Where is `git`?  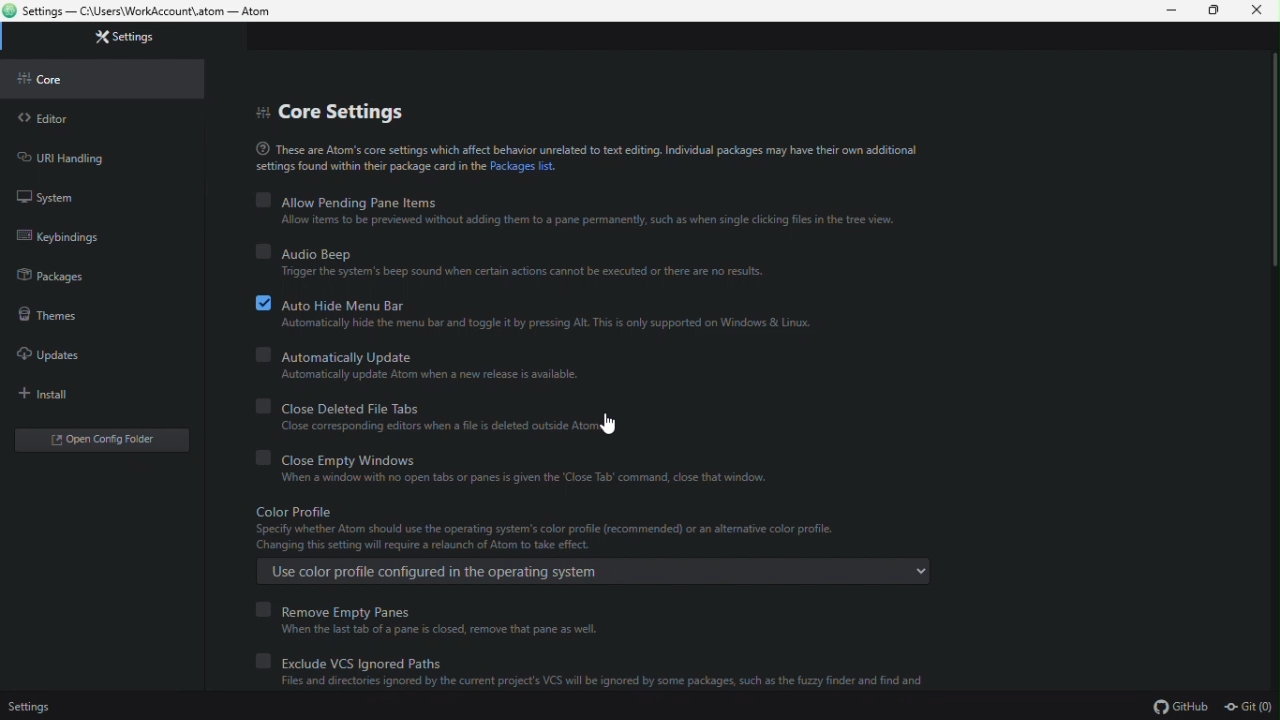 git is located at coordinates (1250, 706).